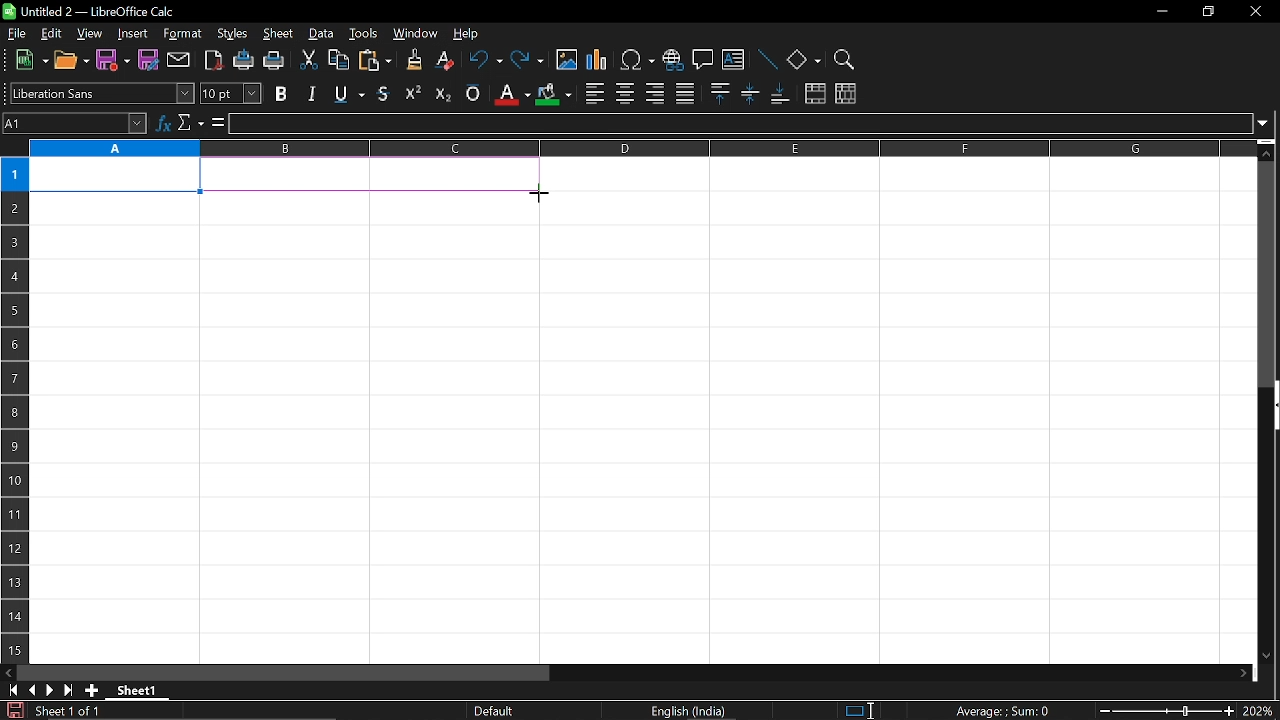 This screenshot has height=720, width=1280. Describe the element at coordinates (48, 690) in the screenshot. I see `next sheet` at that location.